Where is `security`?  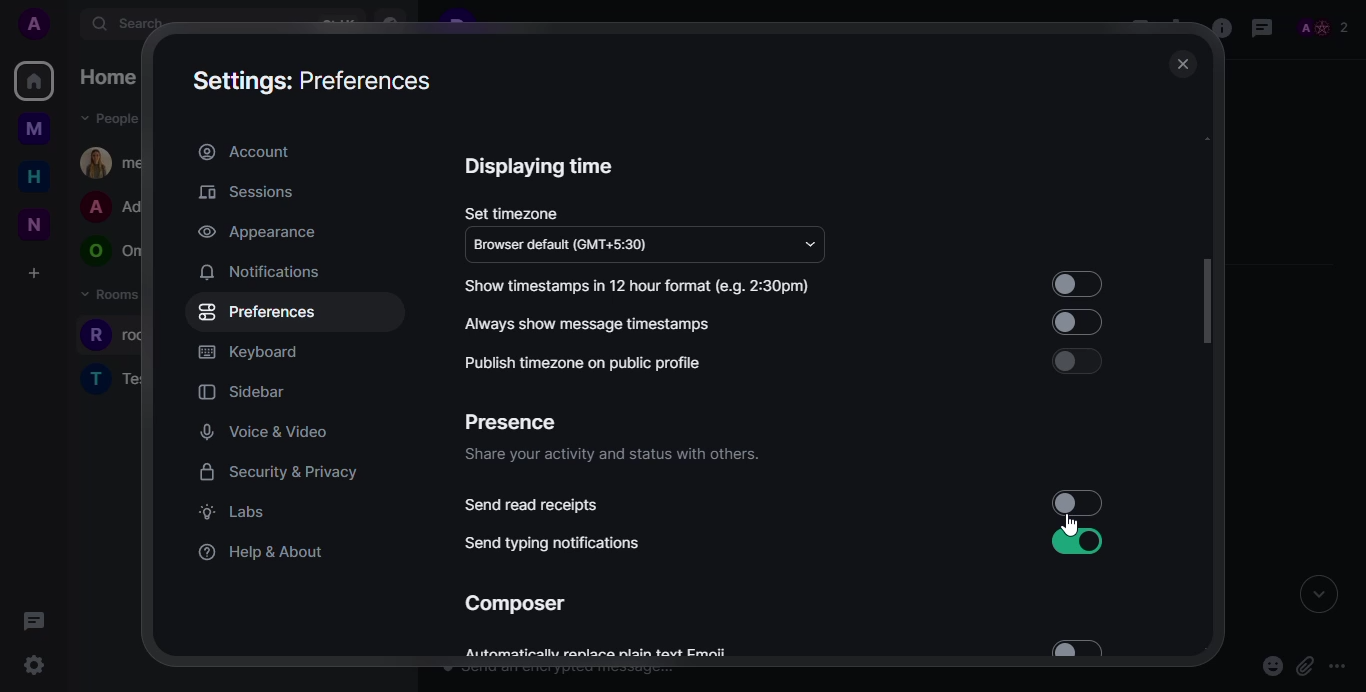 security is located at coordinates (279, 472).